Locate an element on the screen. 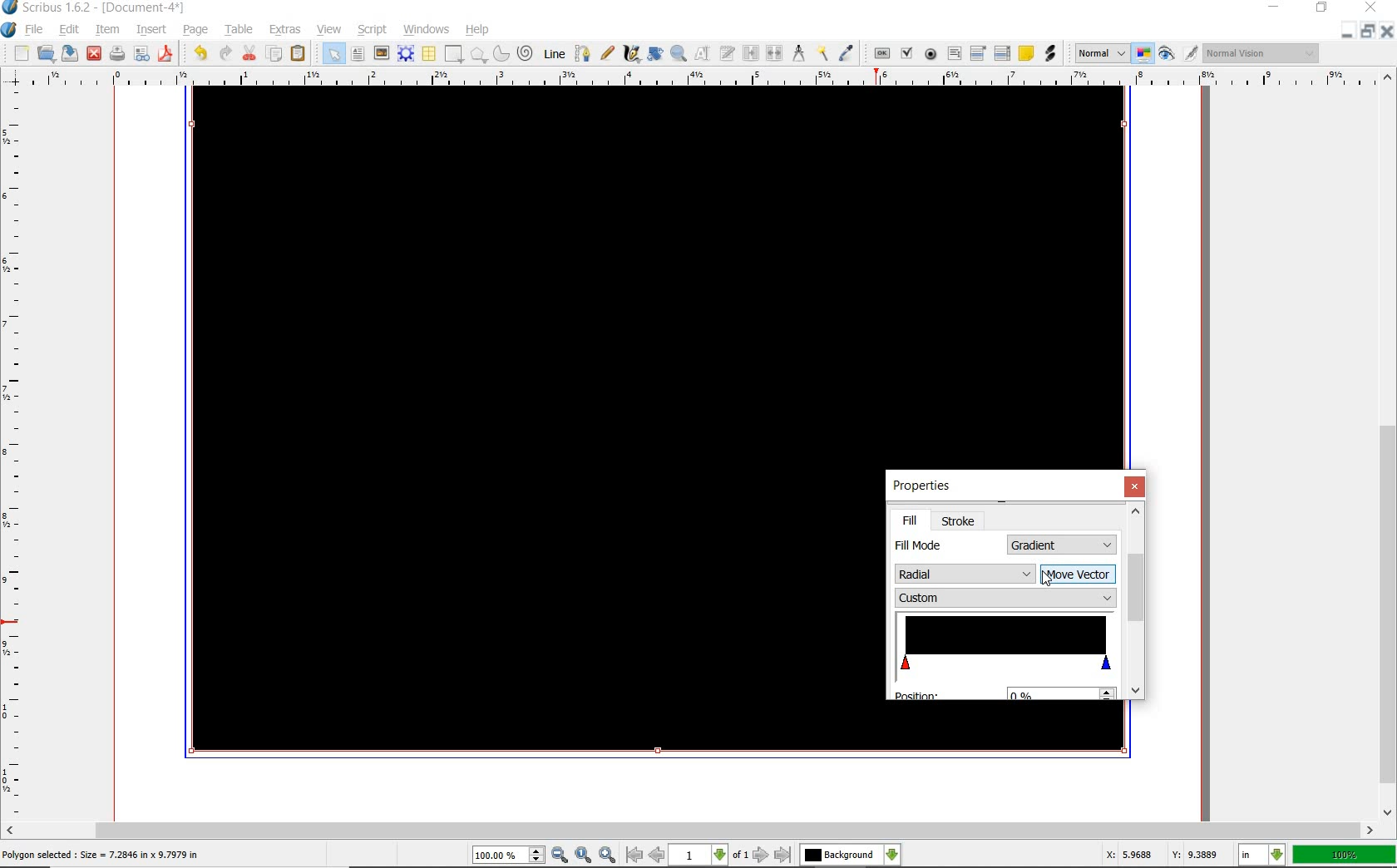  cut is located at coordinates (250, 52).